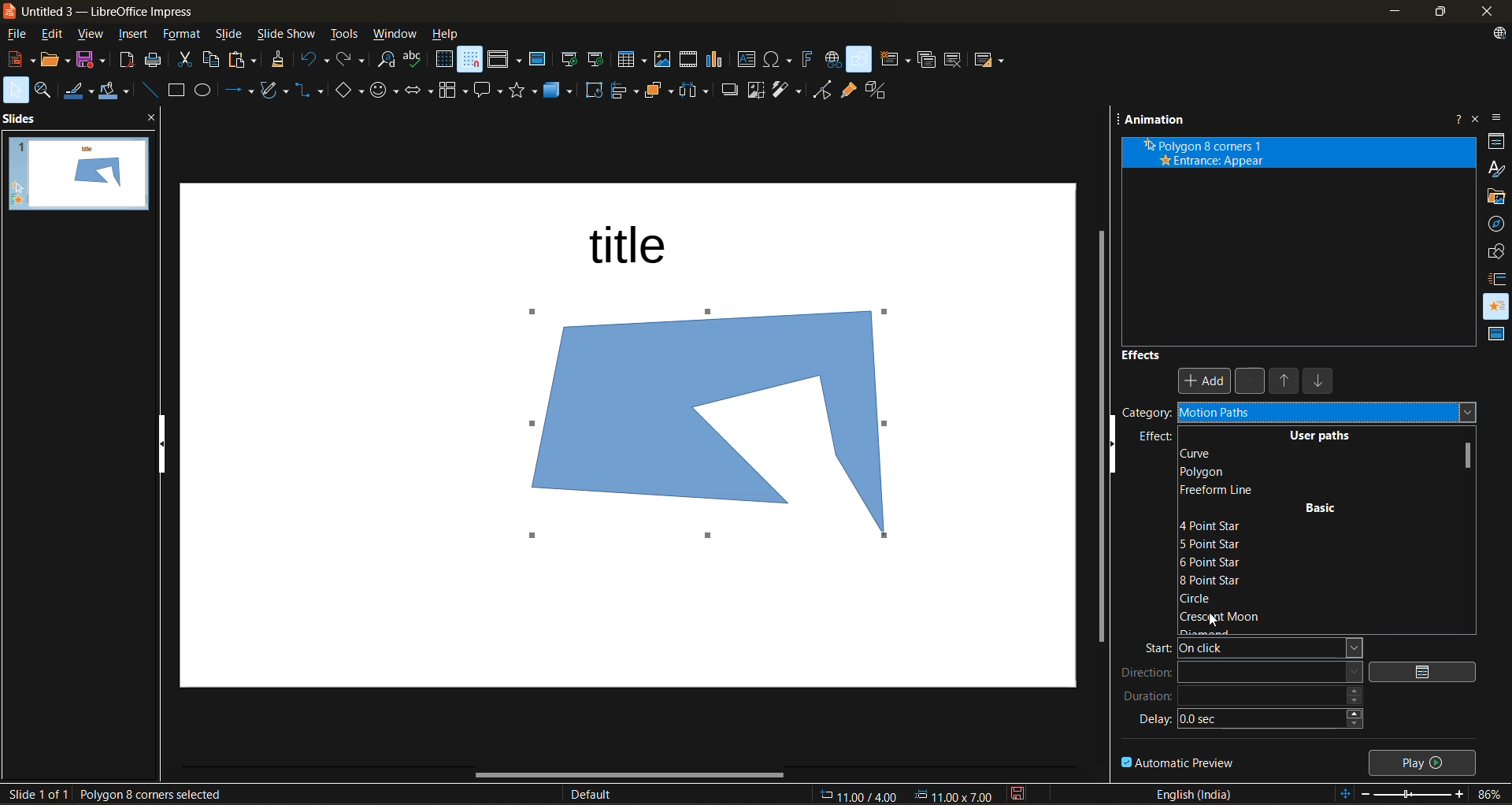 This screenshot has width=1512, height=805. I want to click on effects, so click(1148, 354).